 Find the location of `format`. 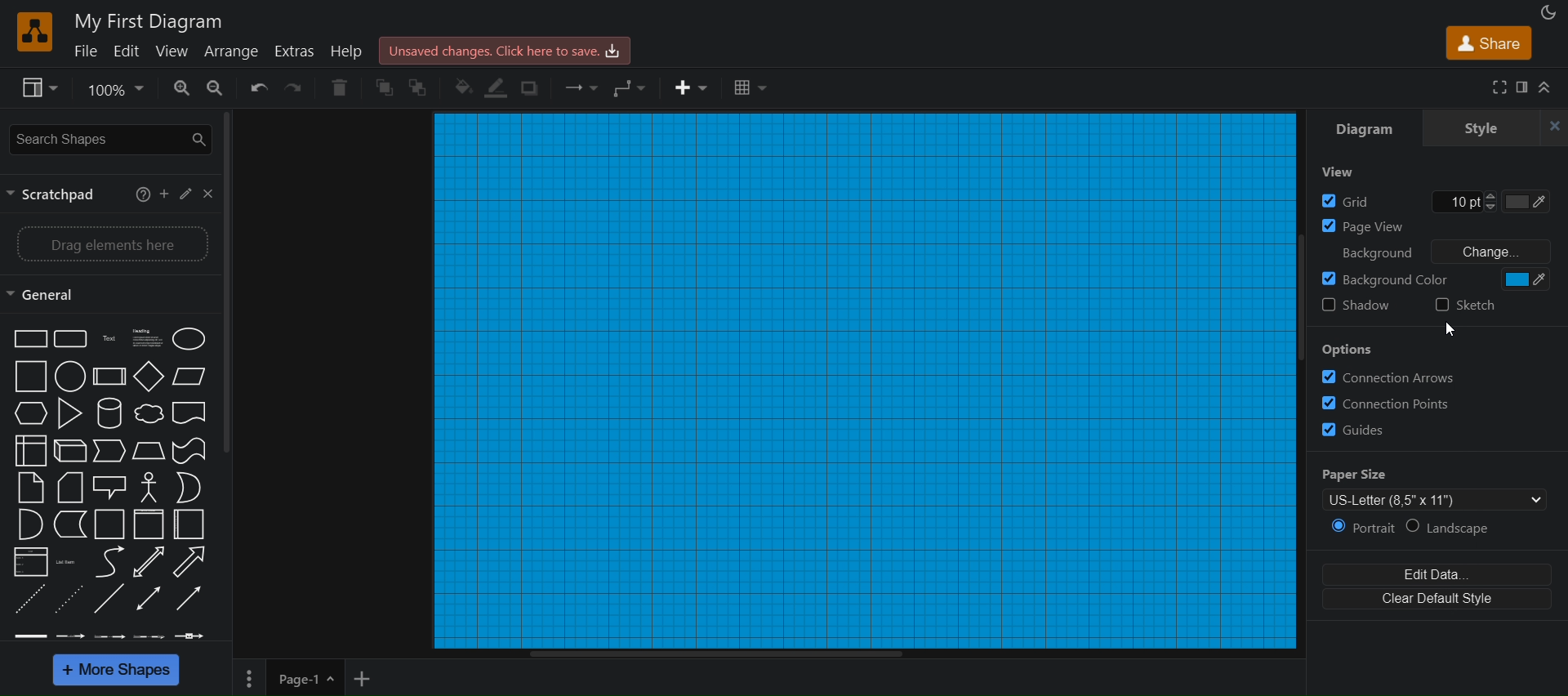

format is located at coordinates (1521, 87).